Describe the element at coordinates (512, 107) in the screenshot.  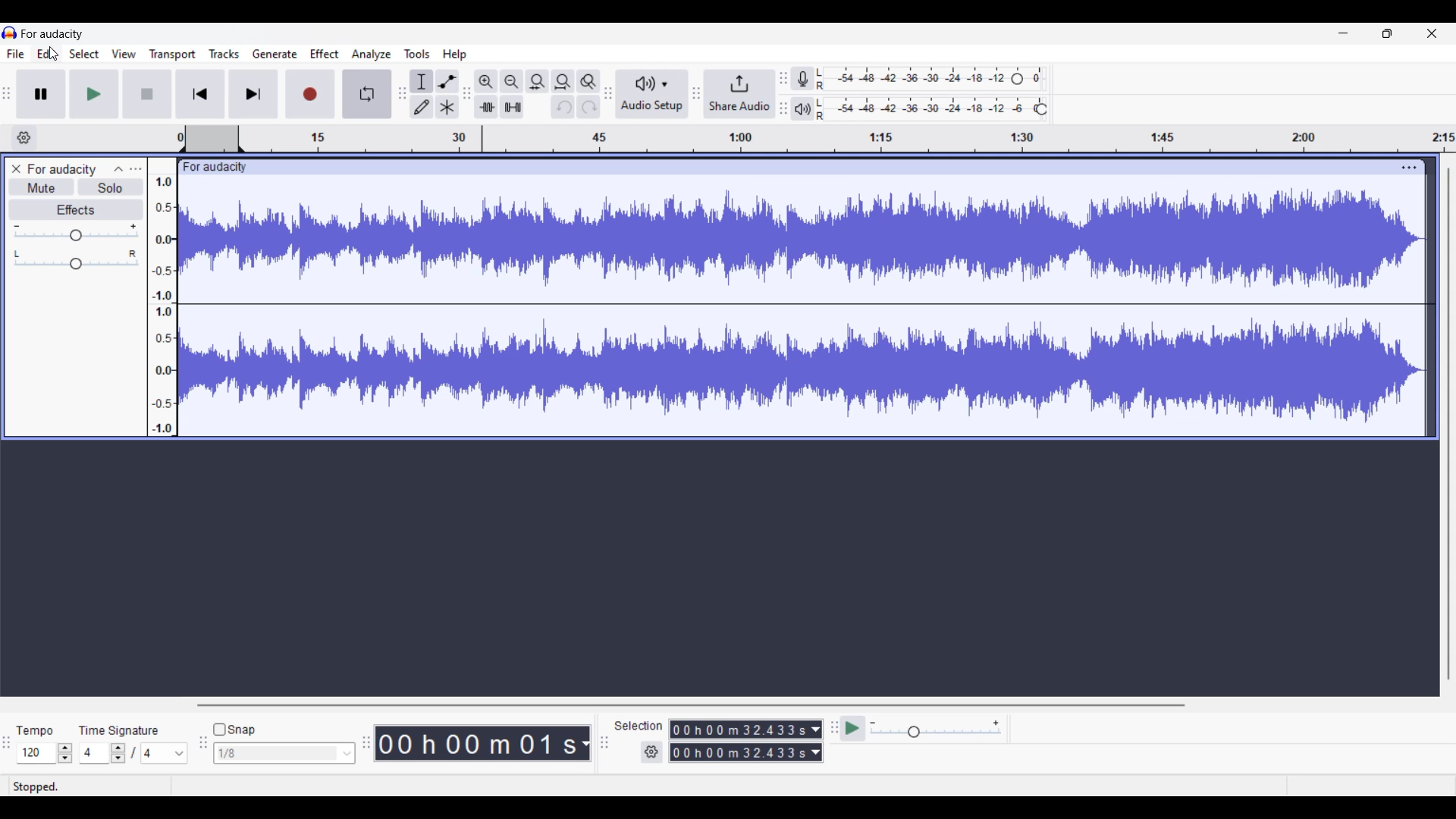
I see `Silence audio selection` at that location.